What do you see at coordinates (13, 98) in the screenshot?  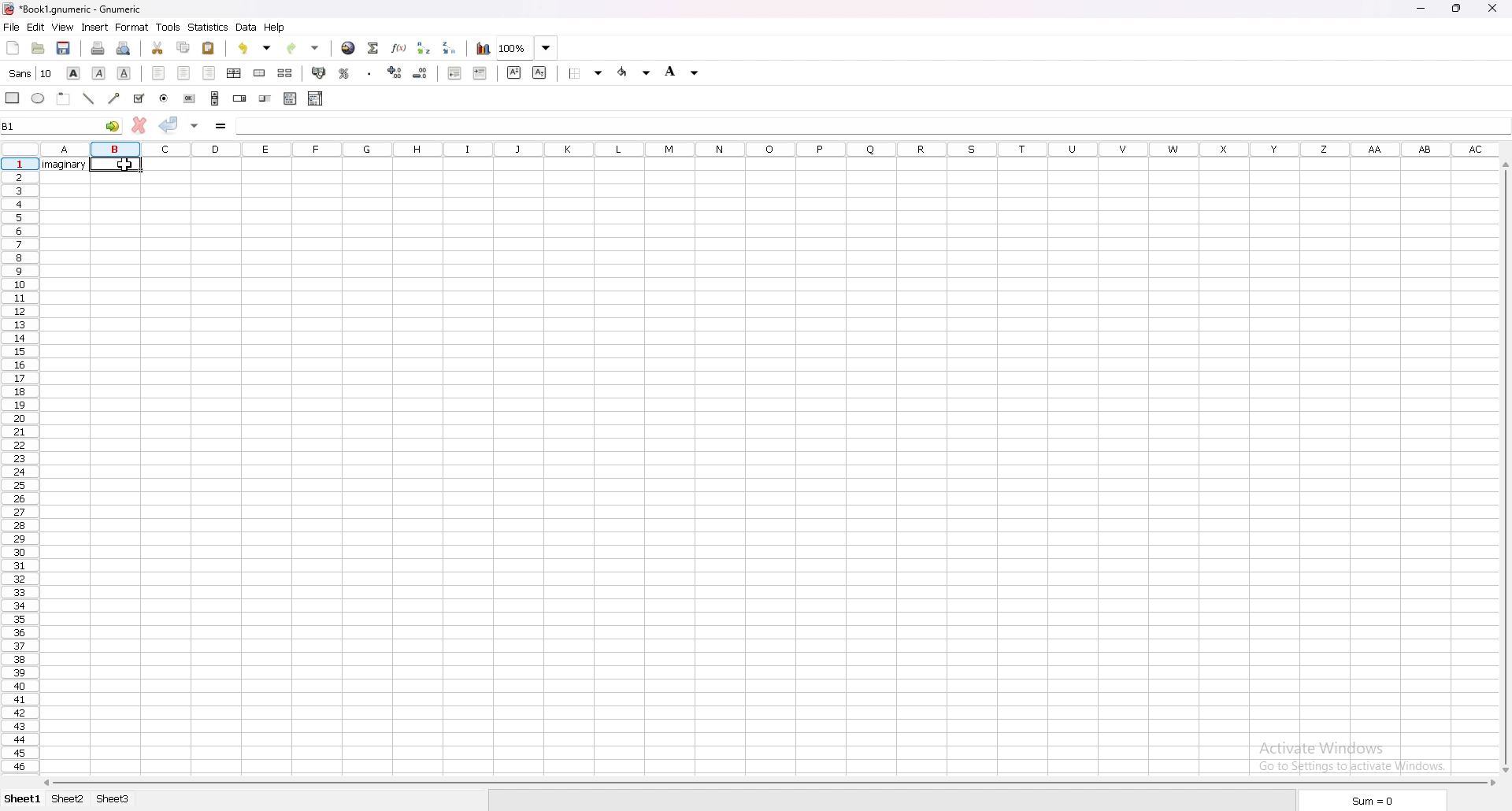 I see `rectangle` at bounding box center [13, 98].